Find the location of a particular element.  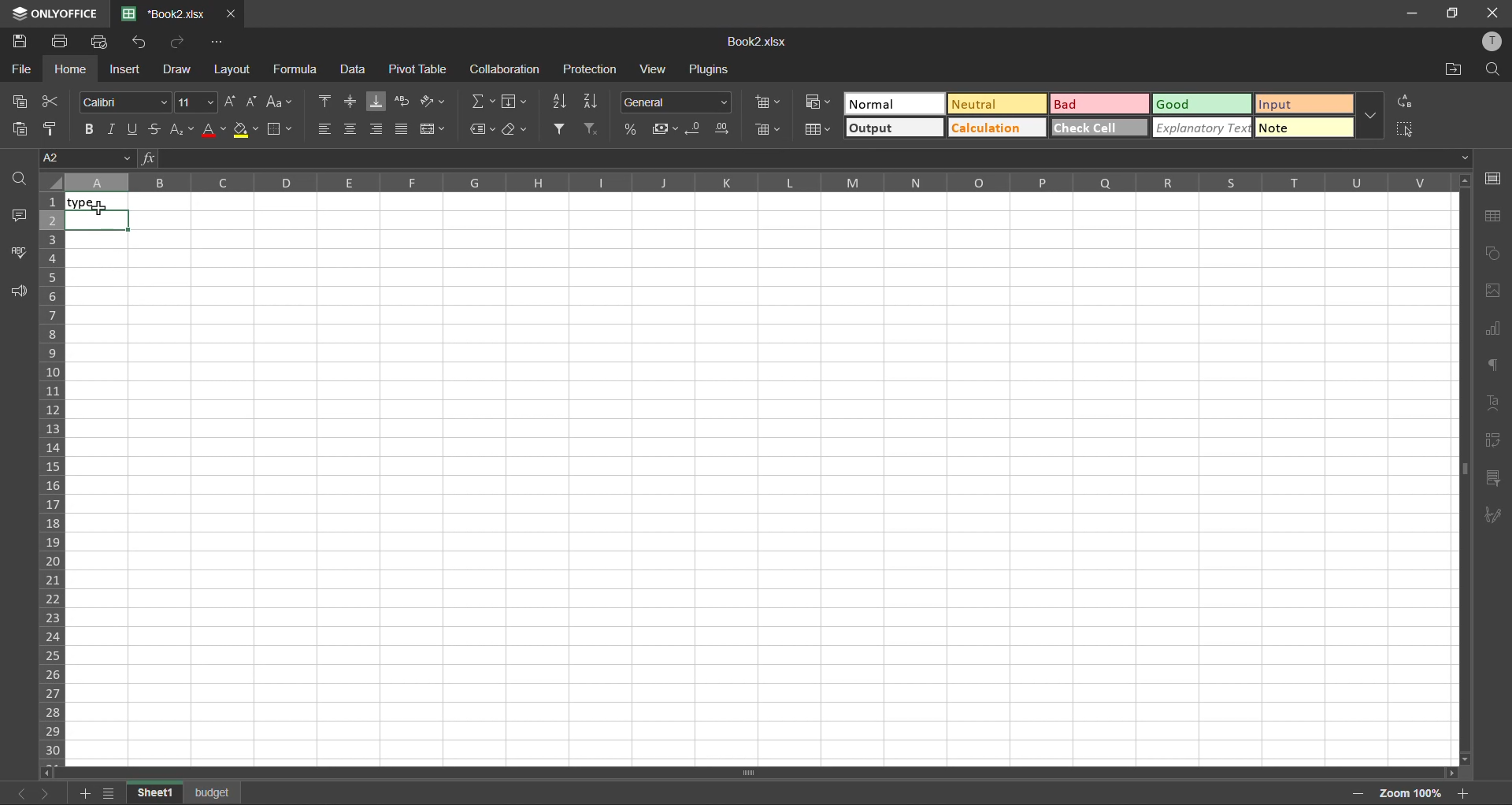

list of sheets is located at coordinates (112, 793).